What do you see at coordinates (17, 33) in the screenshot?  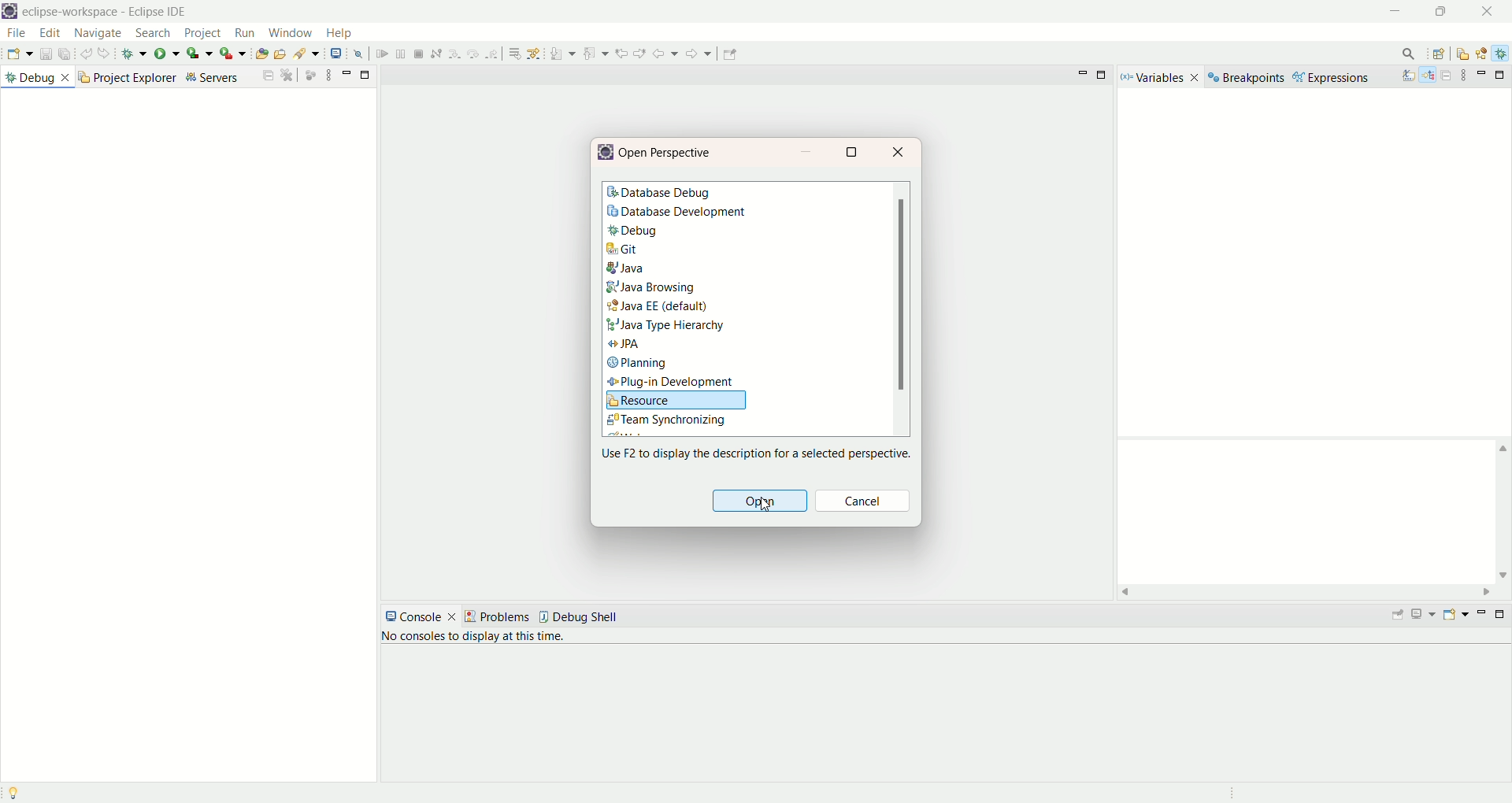 I see `file` at bounding box center [17, 33].